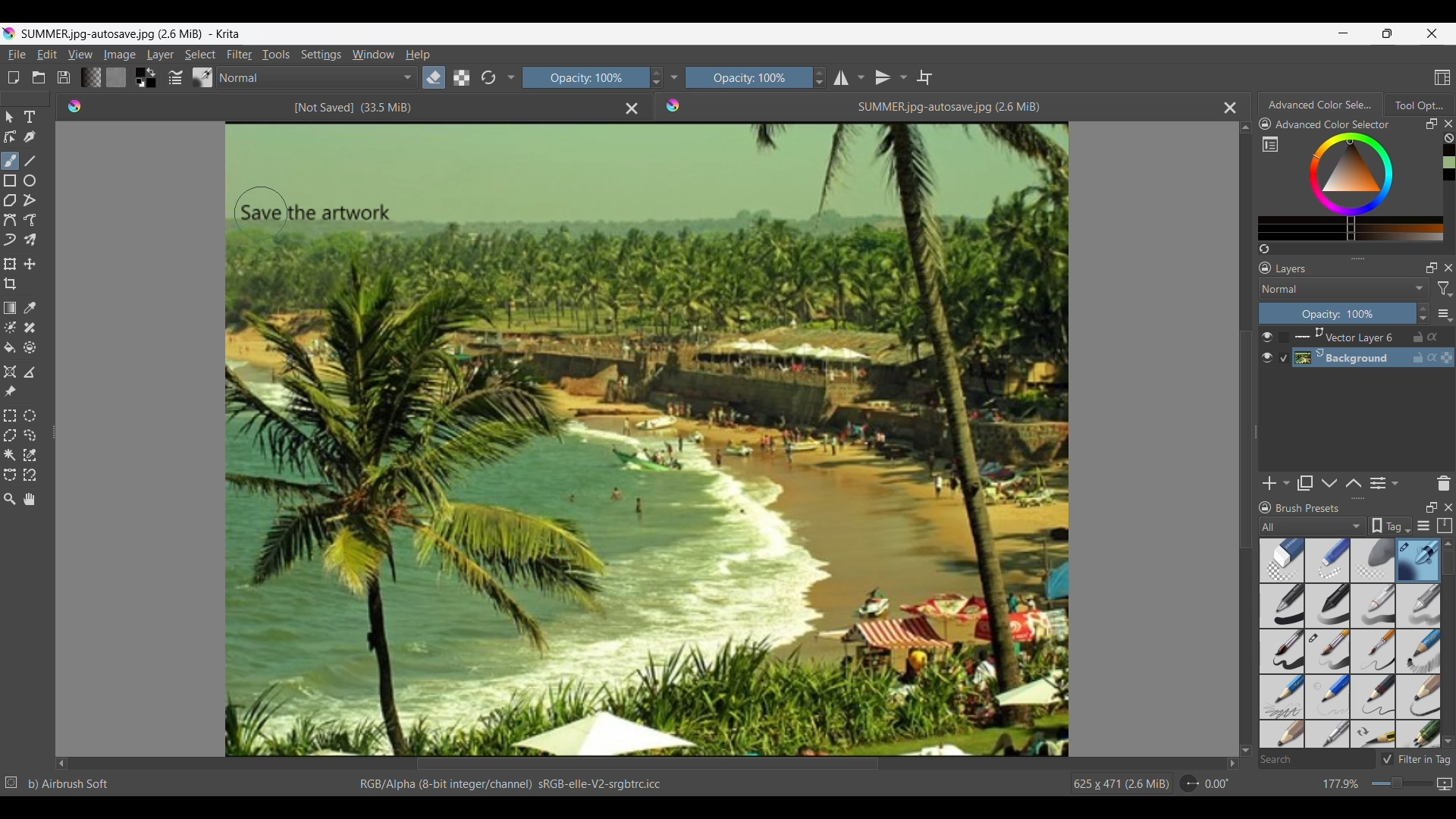 The image size is (1456, 819). What do you see at coordinates (116, 77) in the screenshot?
I see `Fill patterns` at bounding box center [116, 77].